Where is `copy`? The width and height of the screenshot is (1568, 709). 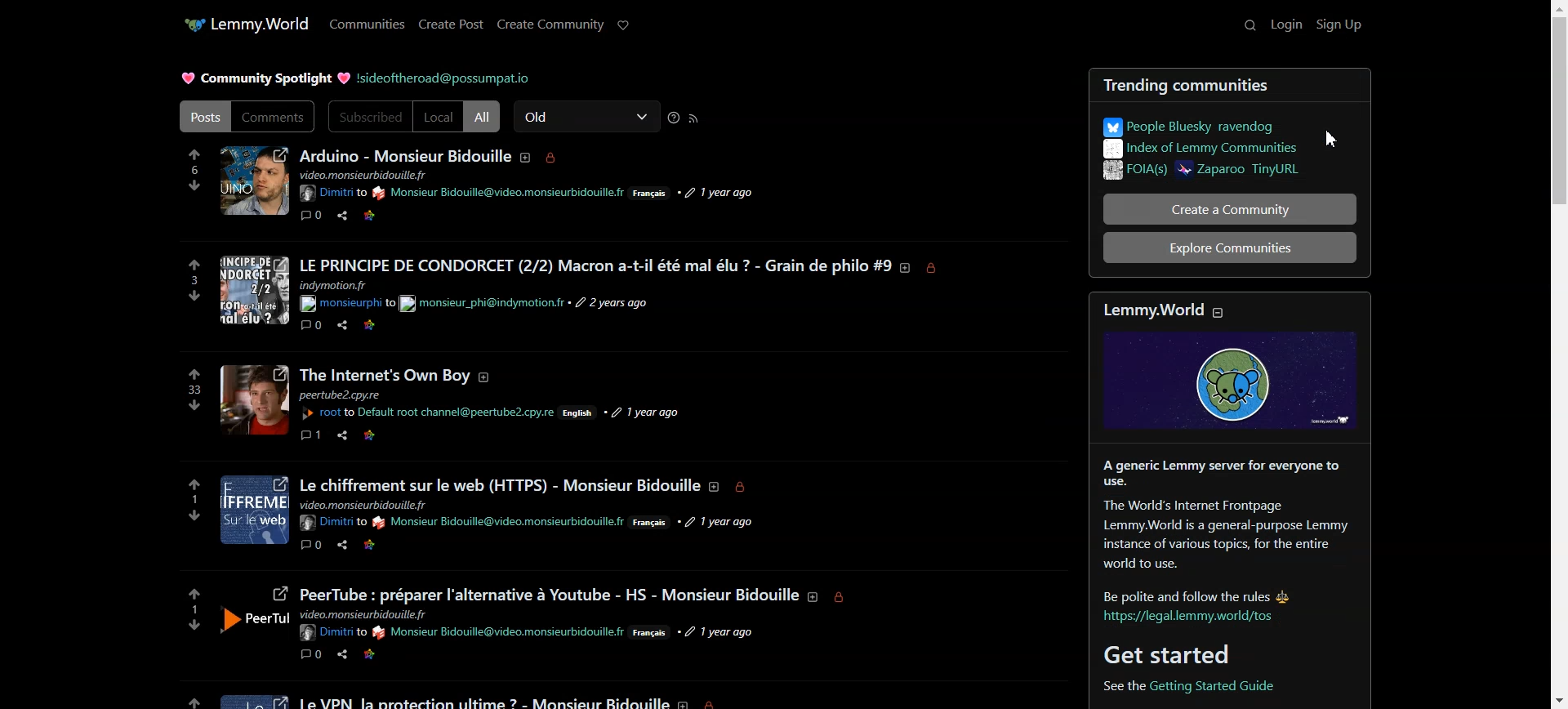
copy is located at coordinates (430, 548).